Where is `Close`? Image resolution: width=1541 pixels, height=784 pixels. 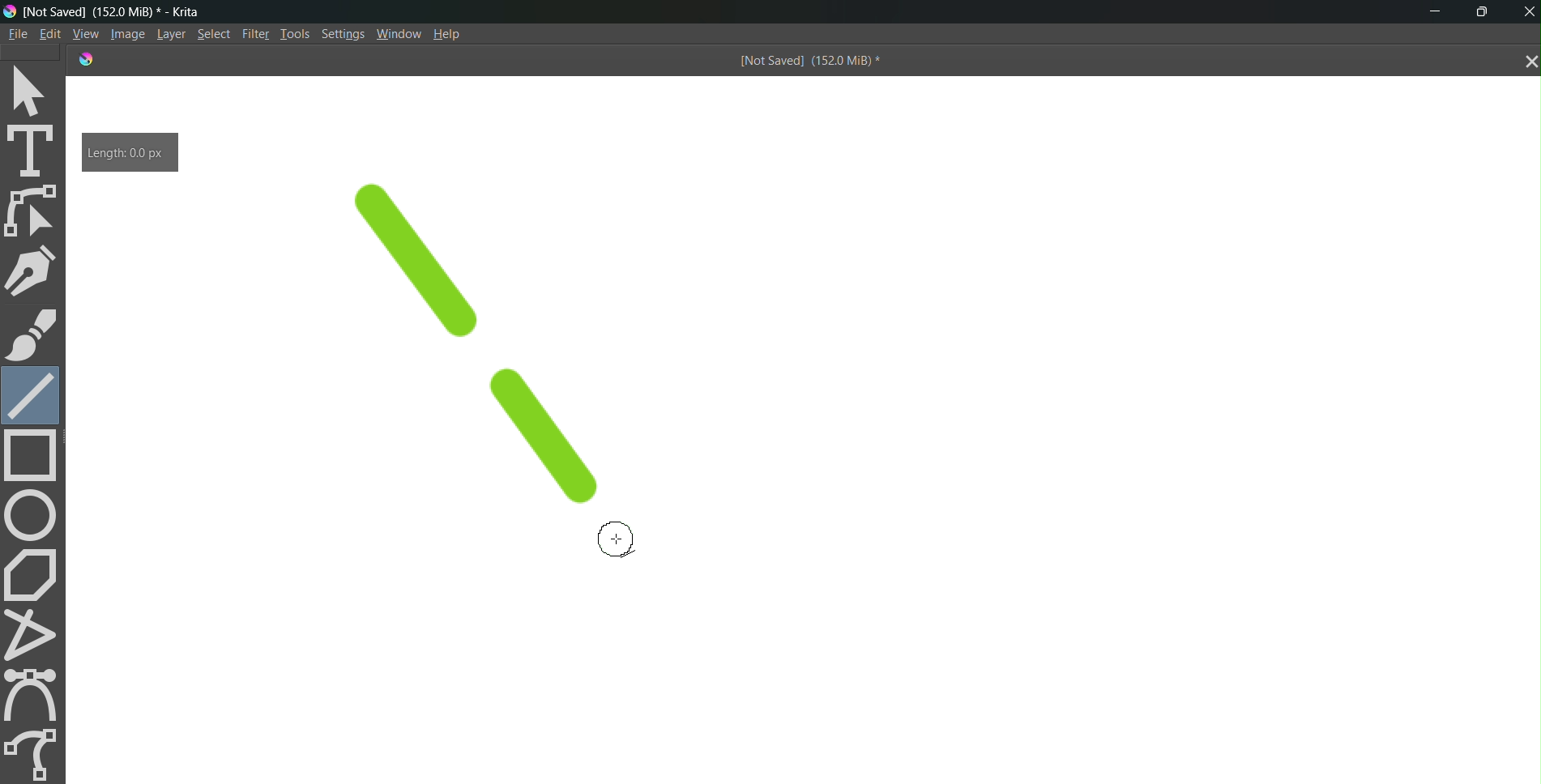
Close is located at coordinates (1526, 11).